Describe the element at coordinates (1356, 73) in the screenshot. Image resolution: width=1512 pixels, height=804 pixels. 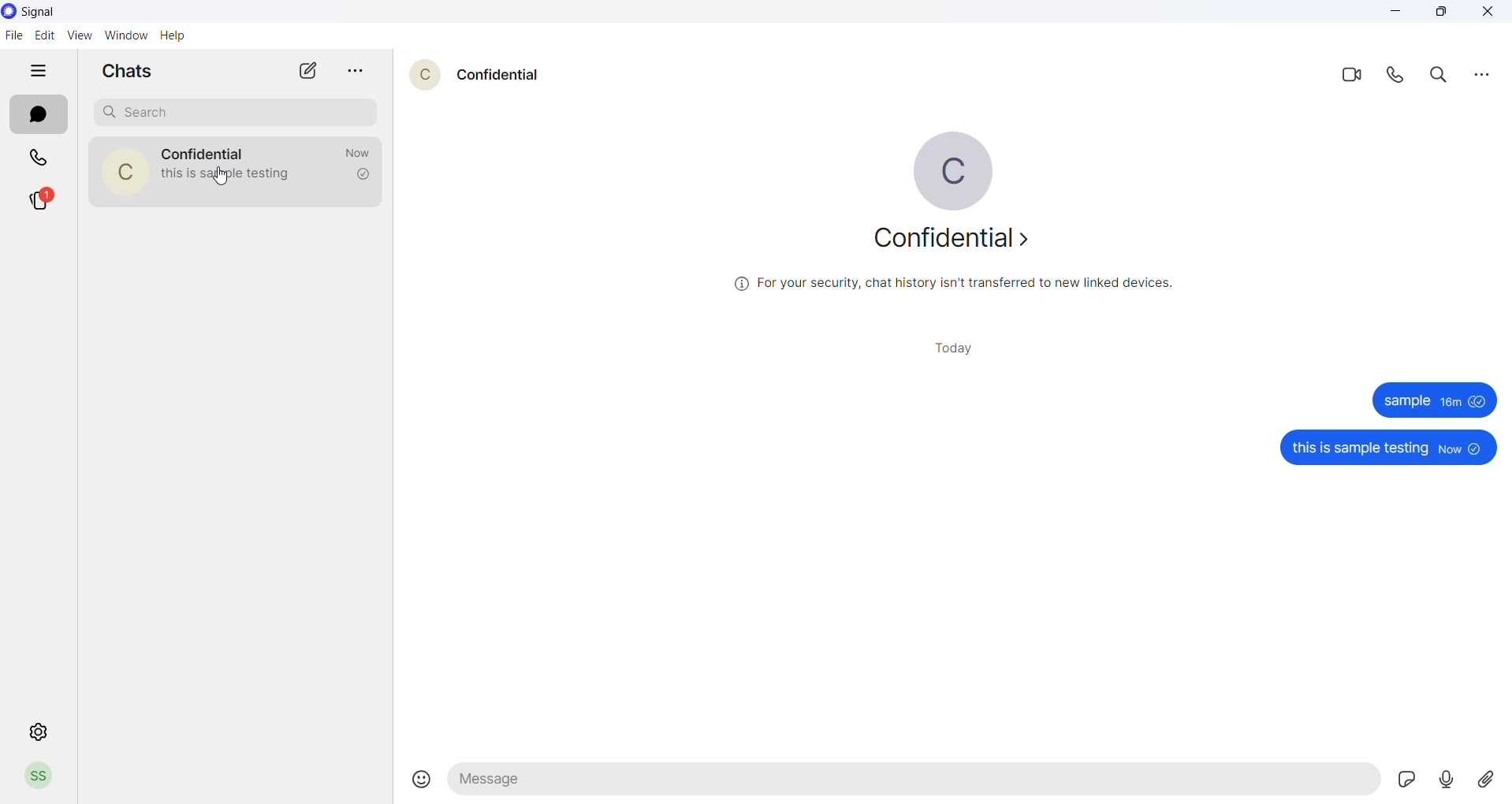
I see `video call` at that location.